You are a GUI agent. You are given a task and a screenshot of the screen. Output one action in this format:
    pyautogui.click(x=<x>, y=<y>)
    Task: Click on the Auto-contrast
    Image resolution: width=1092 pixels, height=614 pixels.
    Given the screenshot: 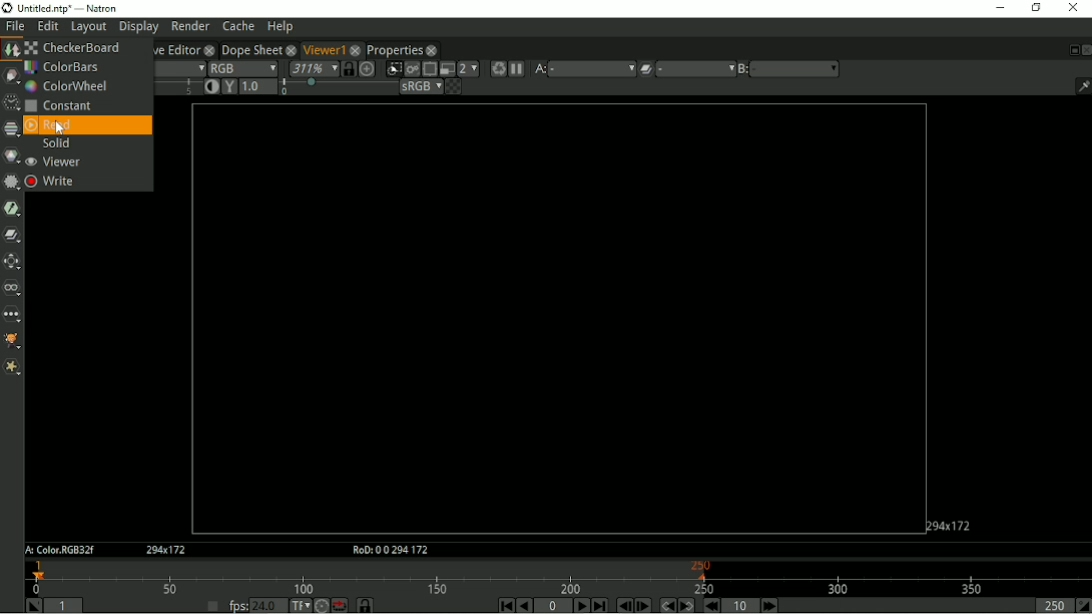 What is the action you would take?
    pyautogui.click(x=211, y=86)
    